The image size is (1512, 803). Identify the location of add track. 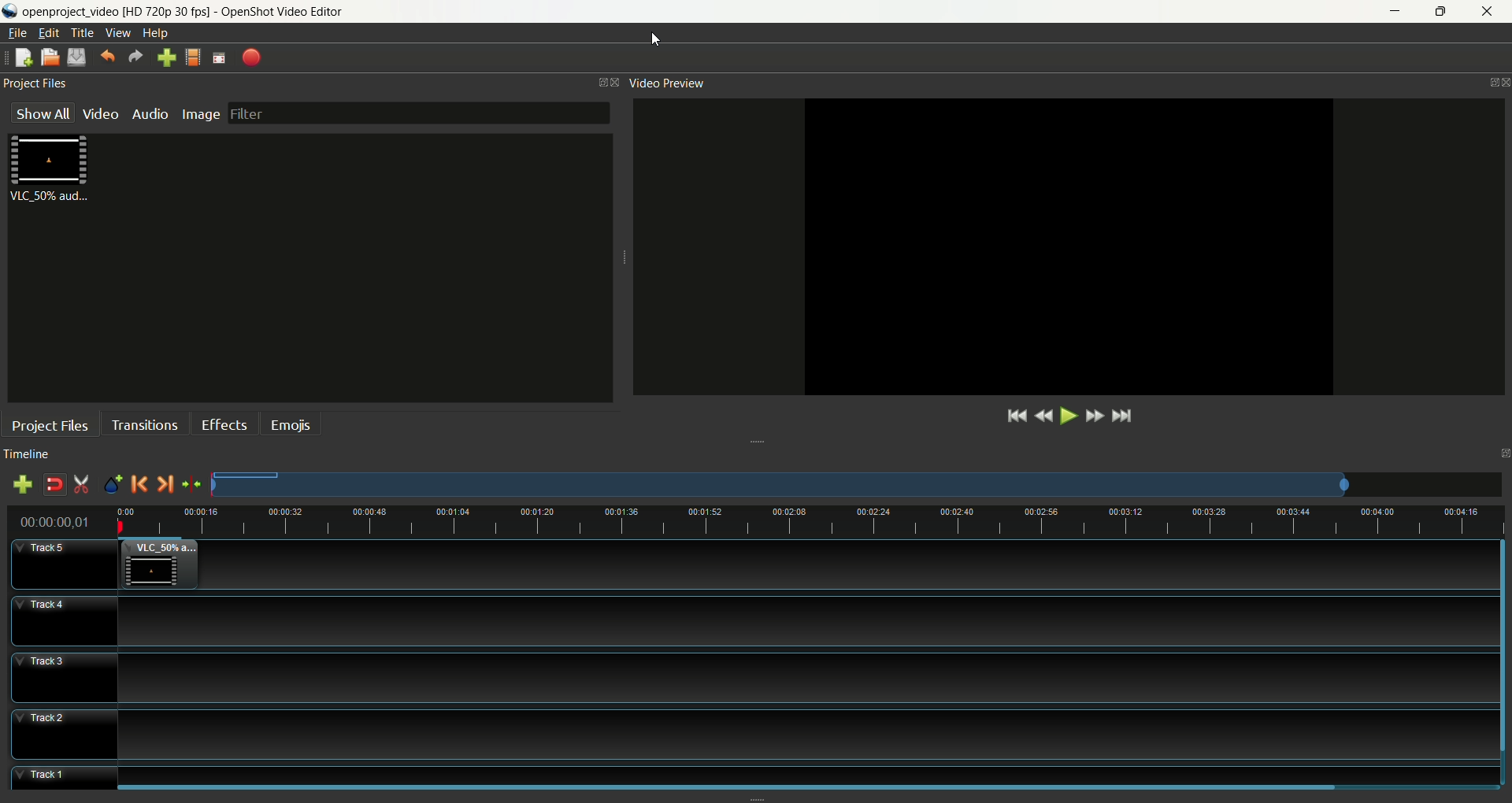
(24, 483).